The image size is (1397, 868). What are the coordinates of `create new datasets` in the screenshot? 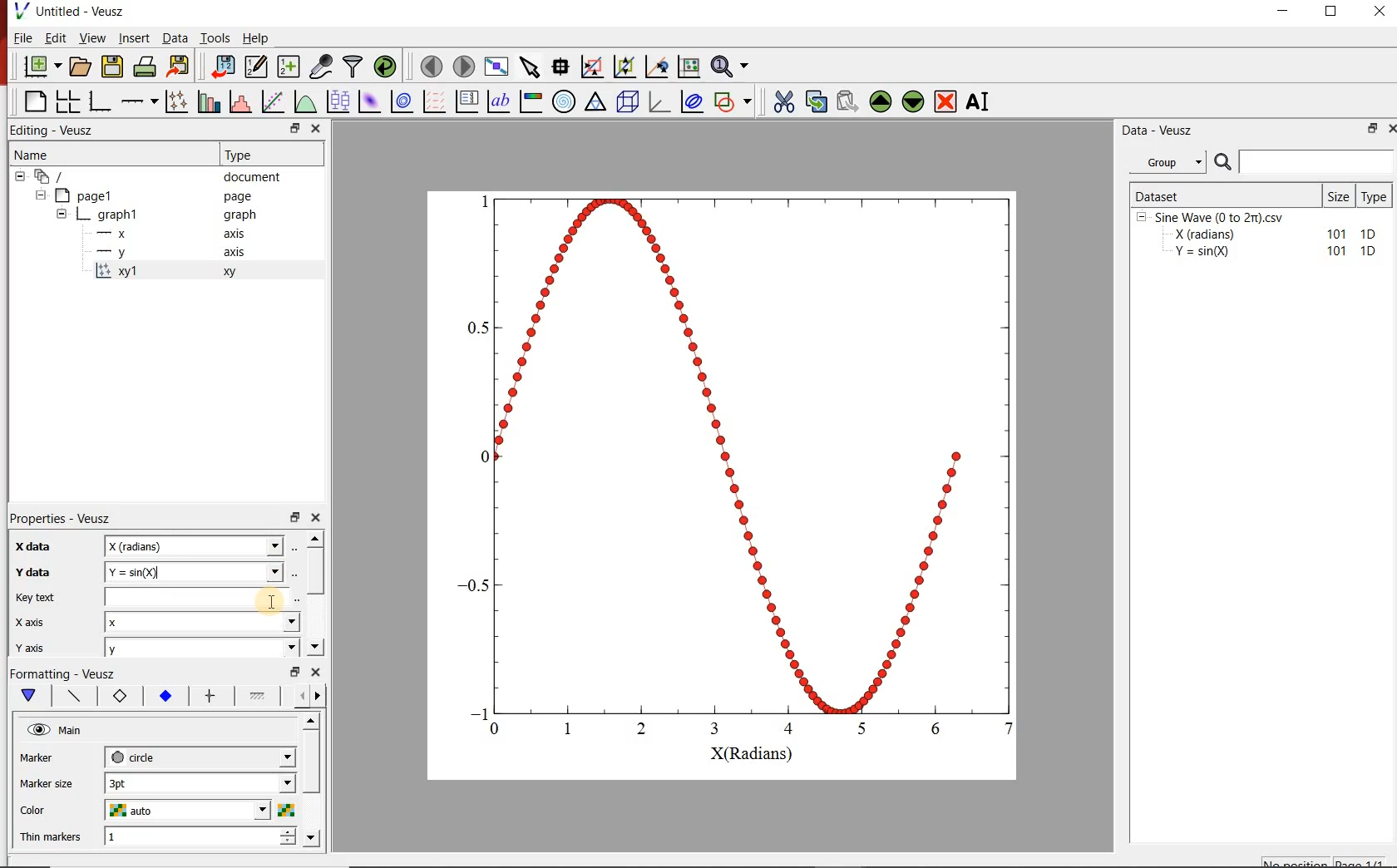 It's located at (289, 67).